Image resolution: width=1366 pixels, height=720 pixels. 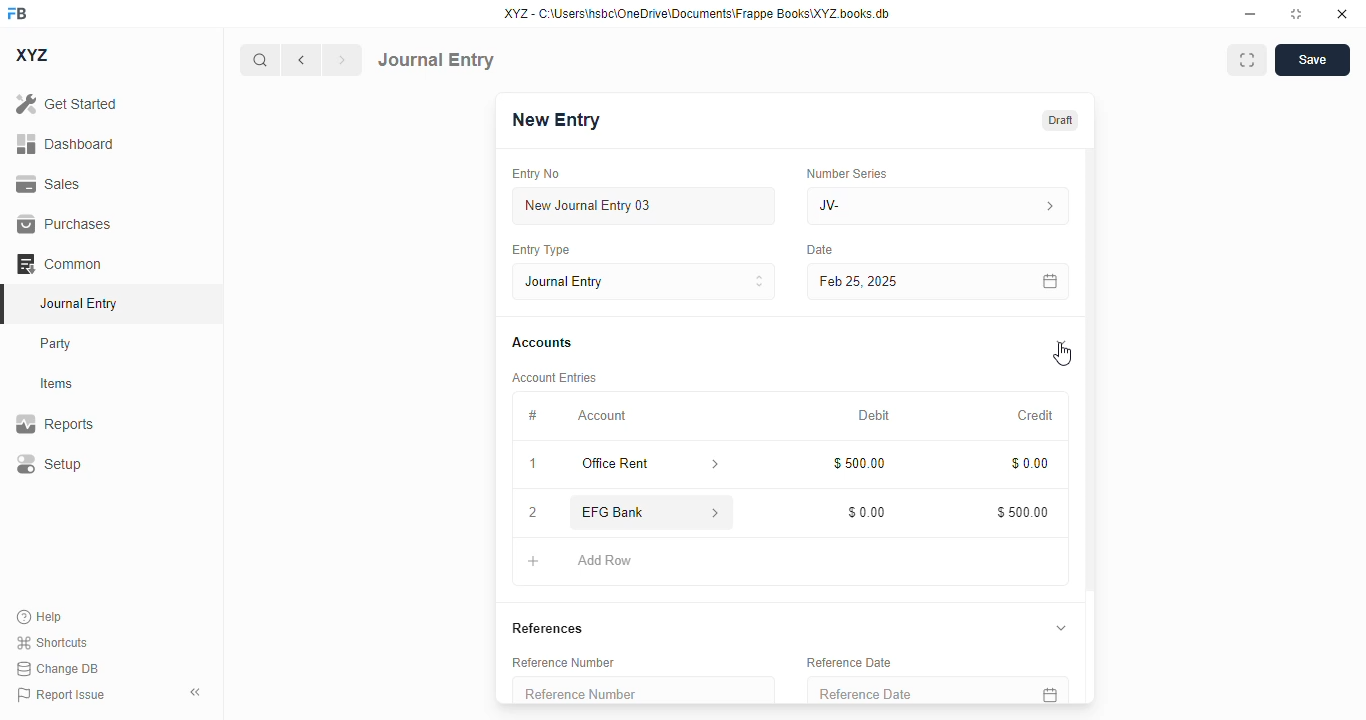 What do you see at coordinates (554, 377) in the screenshot?
I see `account entries` at bounding box center [554, 377].